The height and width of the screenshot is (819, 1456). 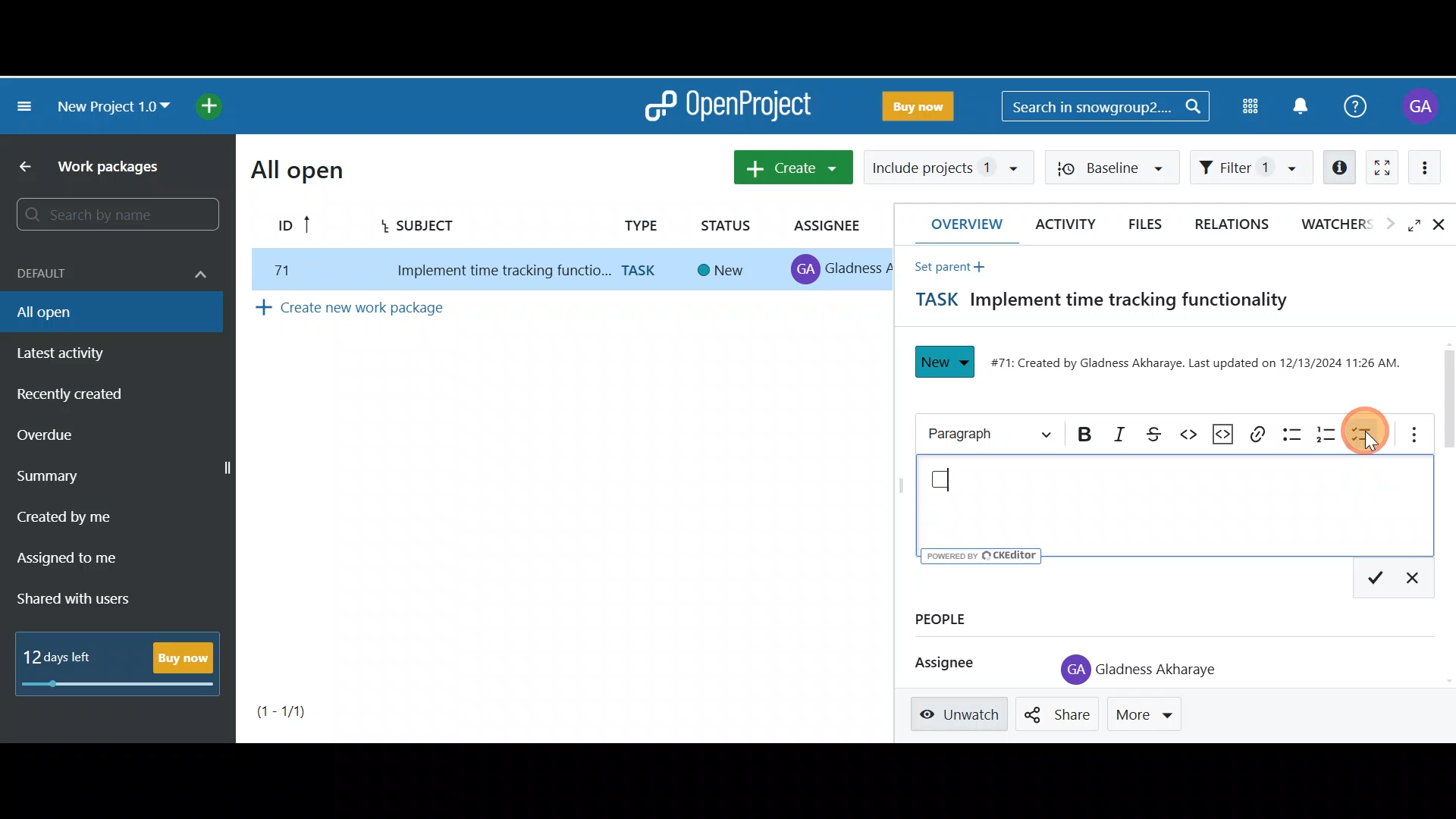 I want to click on More actions, so click(x=1433, y=168).